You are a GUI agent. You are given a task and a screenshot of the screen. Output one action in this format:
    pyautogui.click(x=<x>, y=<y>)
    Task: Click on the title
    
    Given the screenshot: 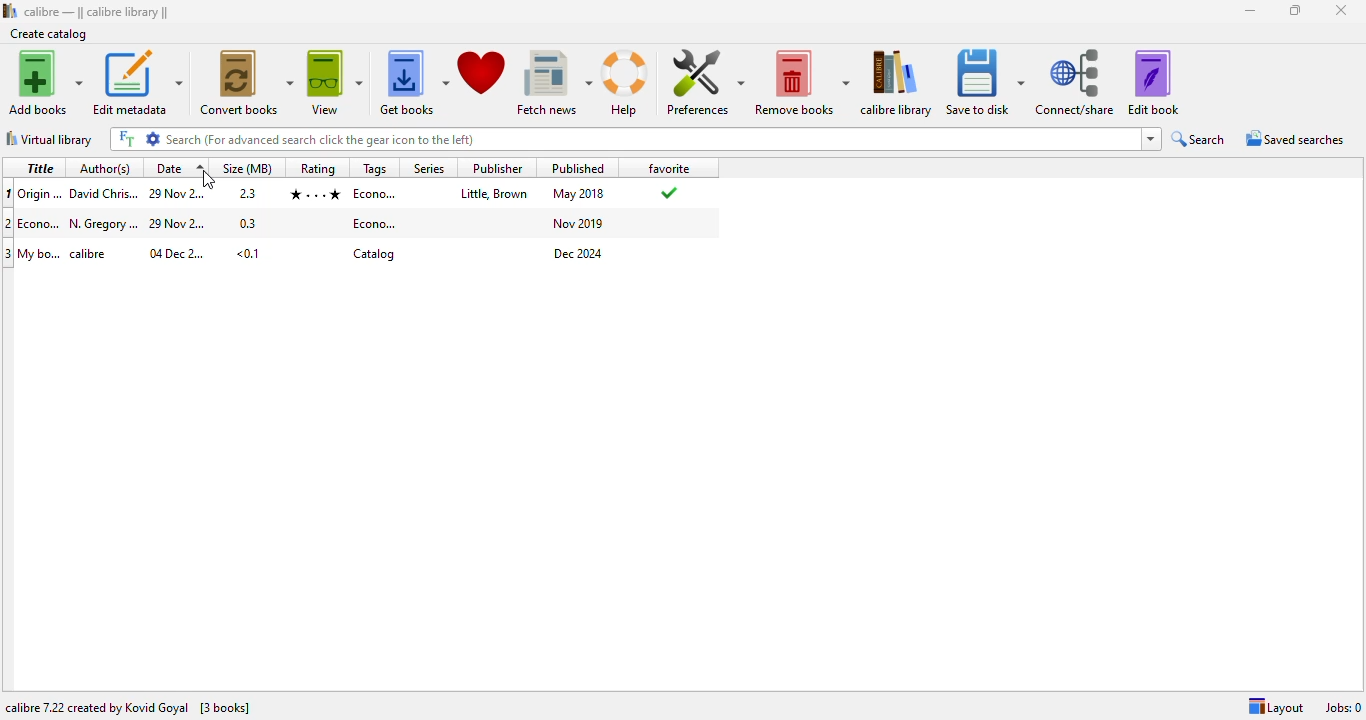 What is the action you would take?
    pyautogui.click(x=41, y=192)
    